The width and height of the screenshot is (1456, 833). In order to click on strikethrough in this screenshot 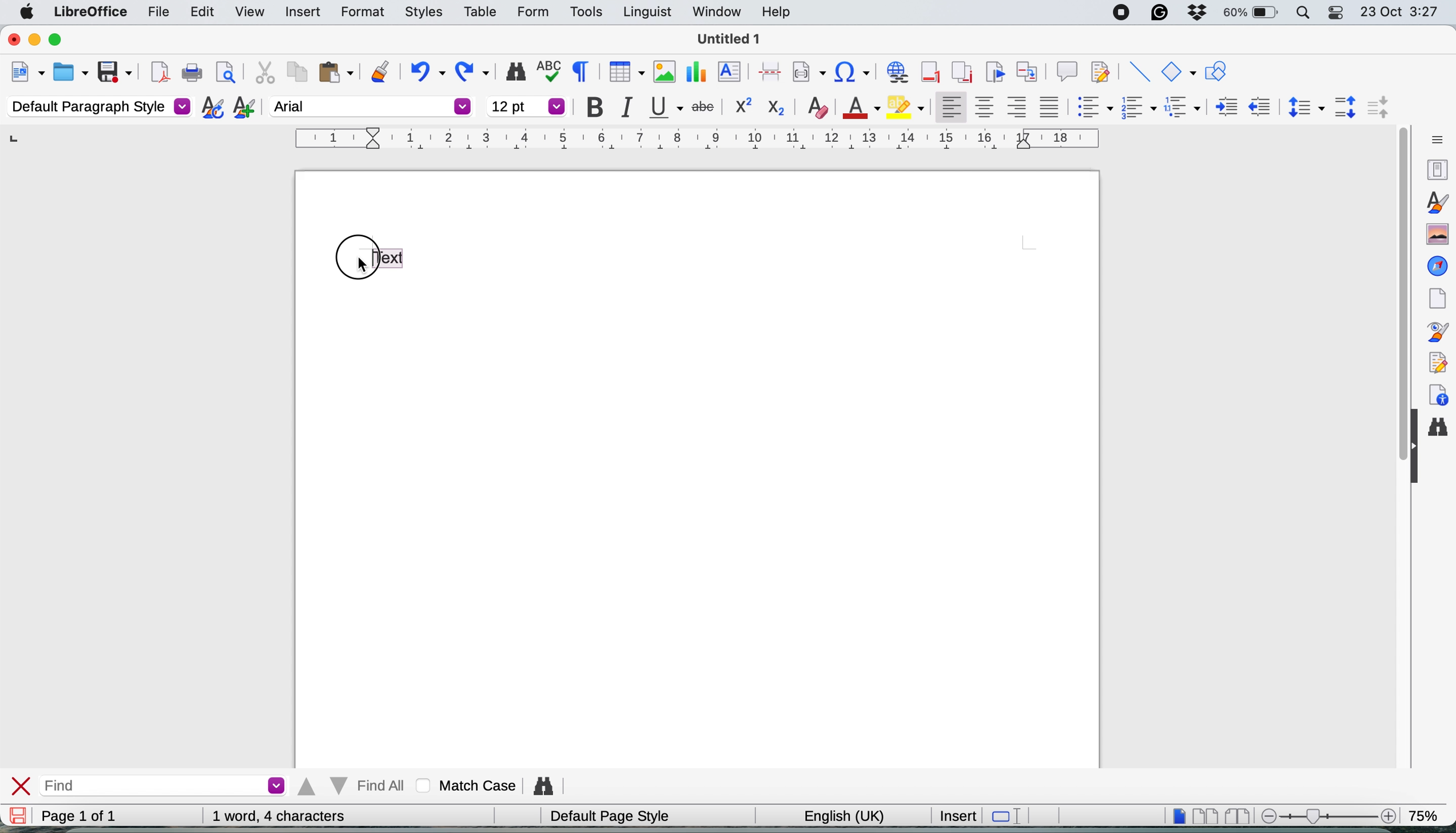, I will do `click(704, 108)`.